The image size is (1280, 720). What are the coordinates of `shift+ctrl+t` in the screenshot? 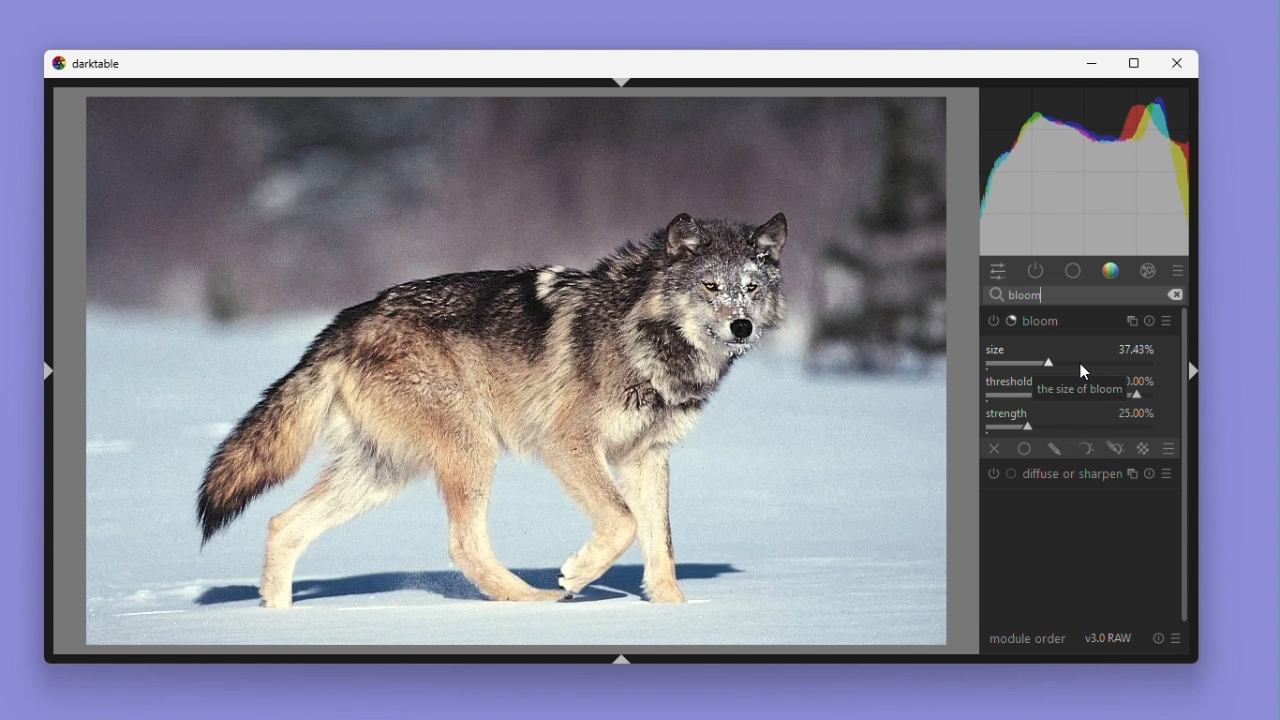 It's located at (621, 80).